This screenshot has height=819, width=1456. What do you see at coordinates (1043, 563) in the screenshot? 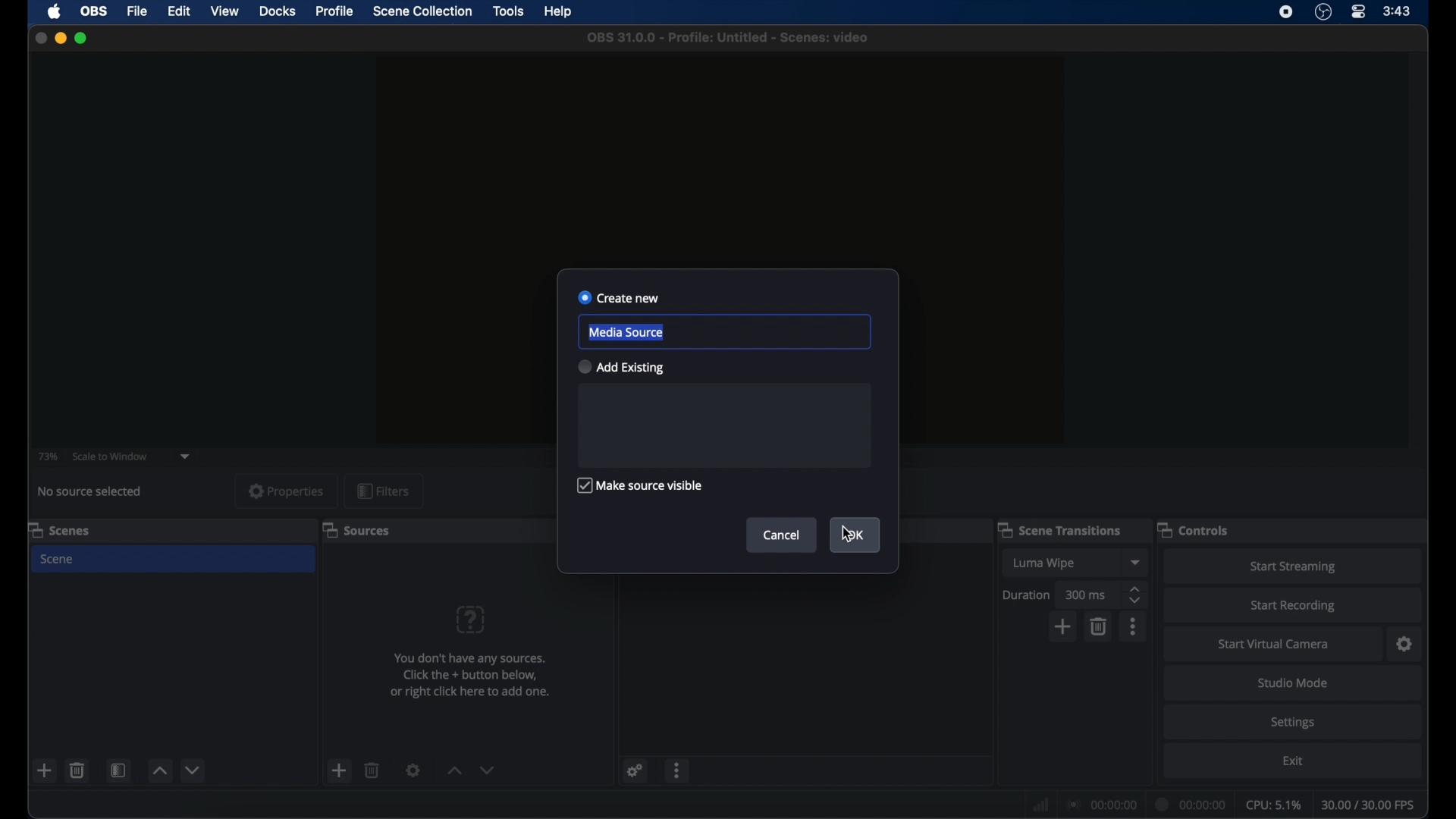
I see `luma wipe` at bounding box center [1043, 563].